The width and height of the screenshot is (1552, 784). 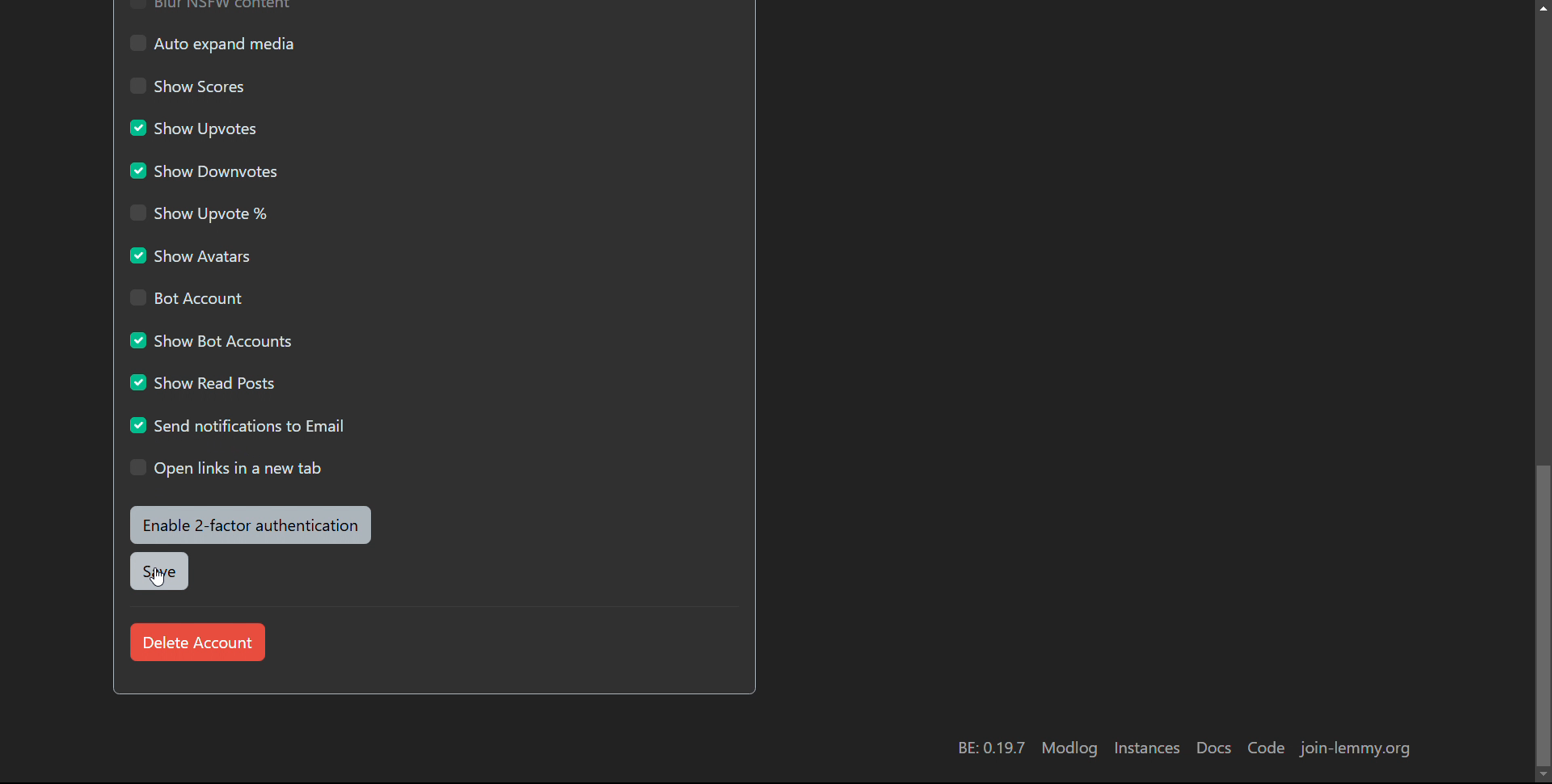 What do you see at coordinates (196, 642) in the screenshot?
I see `delete account` at bounding box center [196, 642].